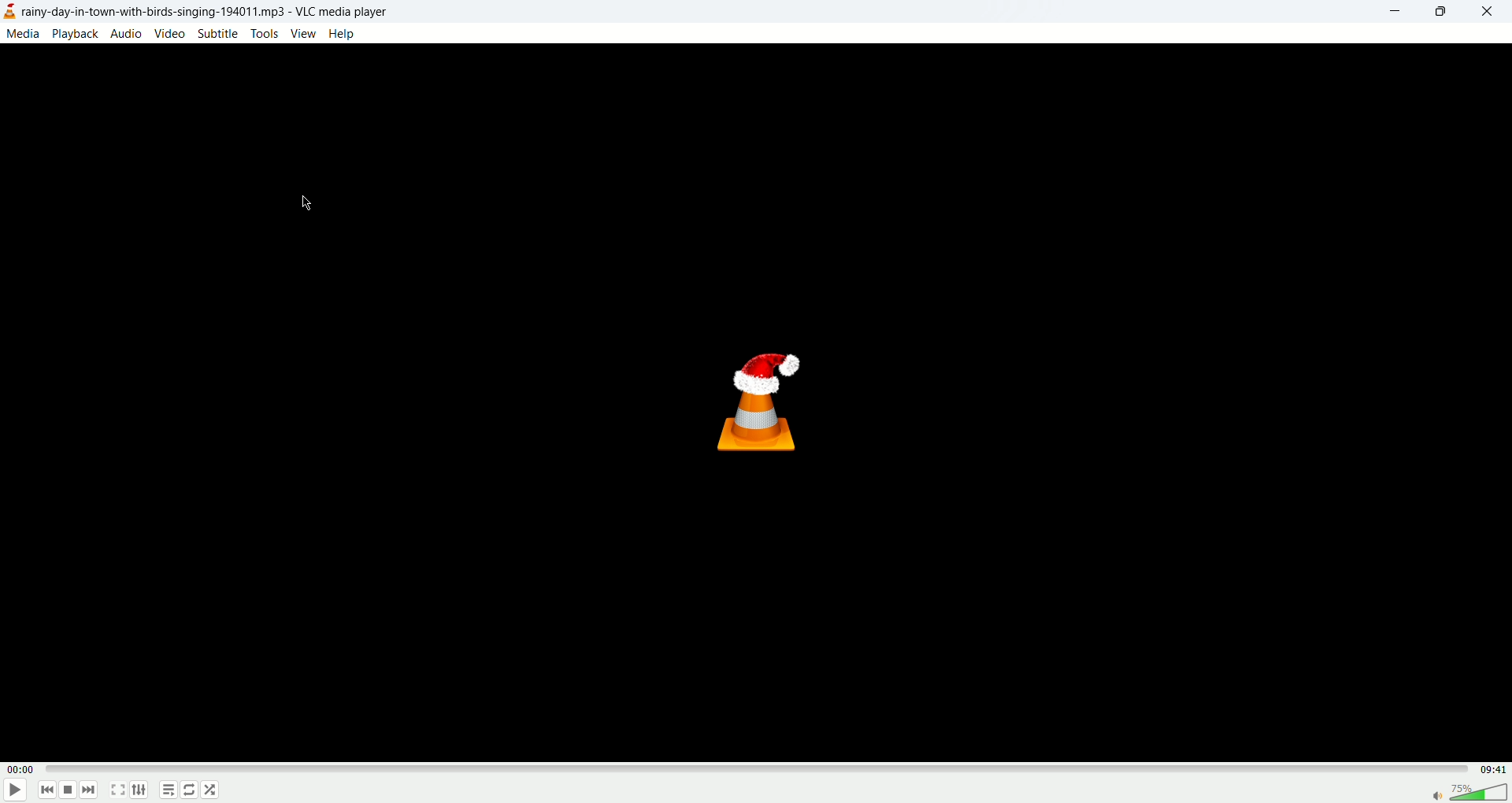 The image size is (1512, 803). Describe the element at coordinates (213, 794) in the screenshot. I see `shuffle` at that location.